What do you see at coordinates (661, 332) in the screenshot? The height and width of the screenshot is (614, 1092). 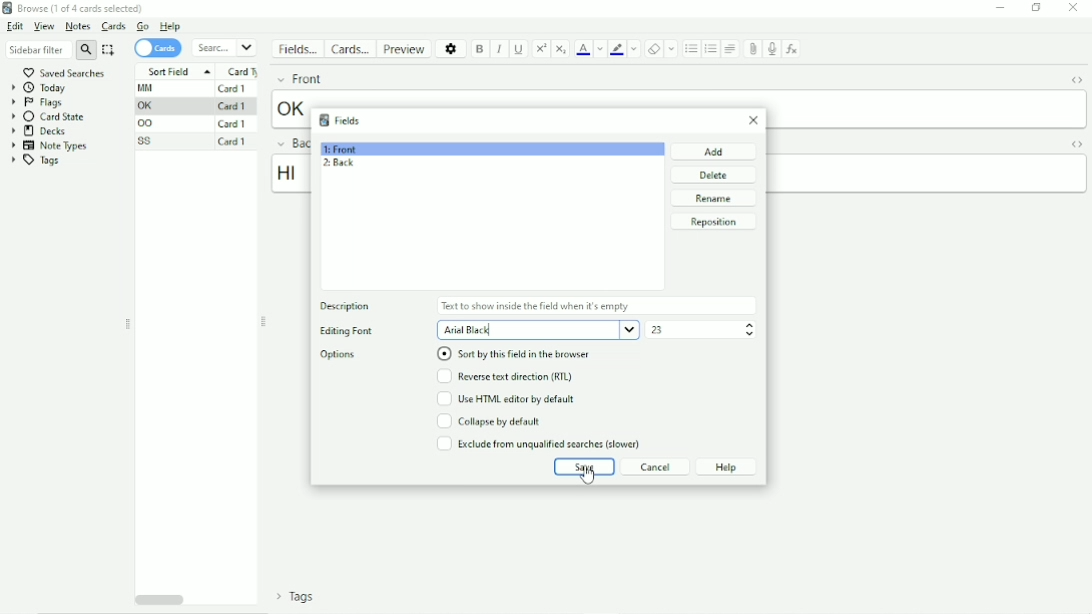 I see `23` at bounding box center [661, 332].